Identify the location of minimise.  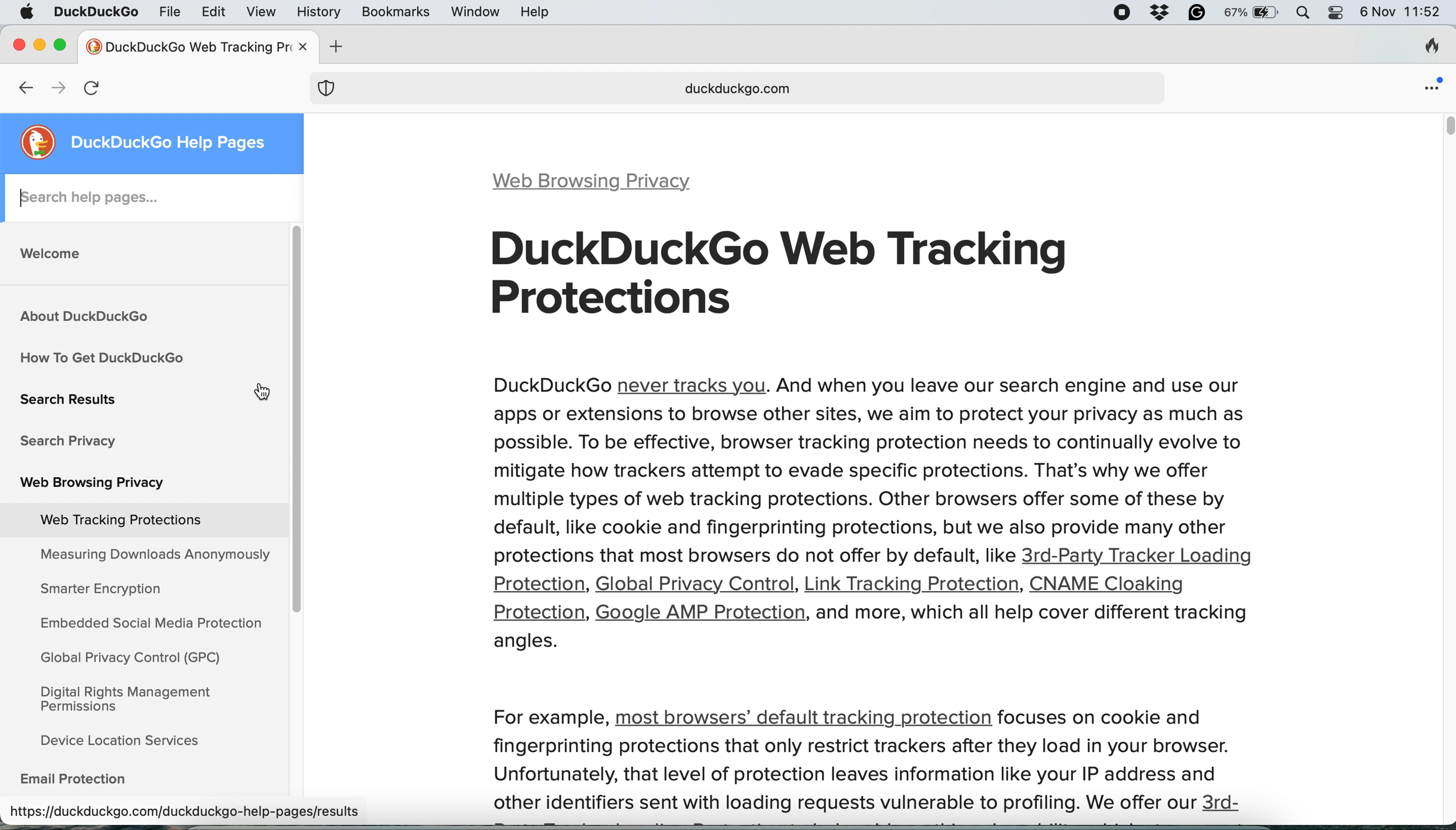
(38, 42).